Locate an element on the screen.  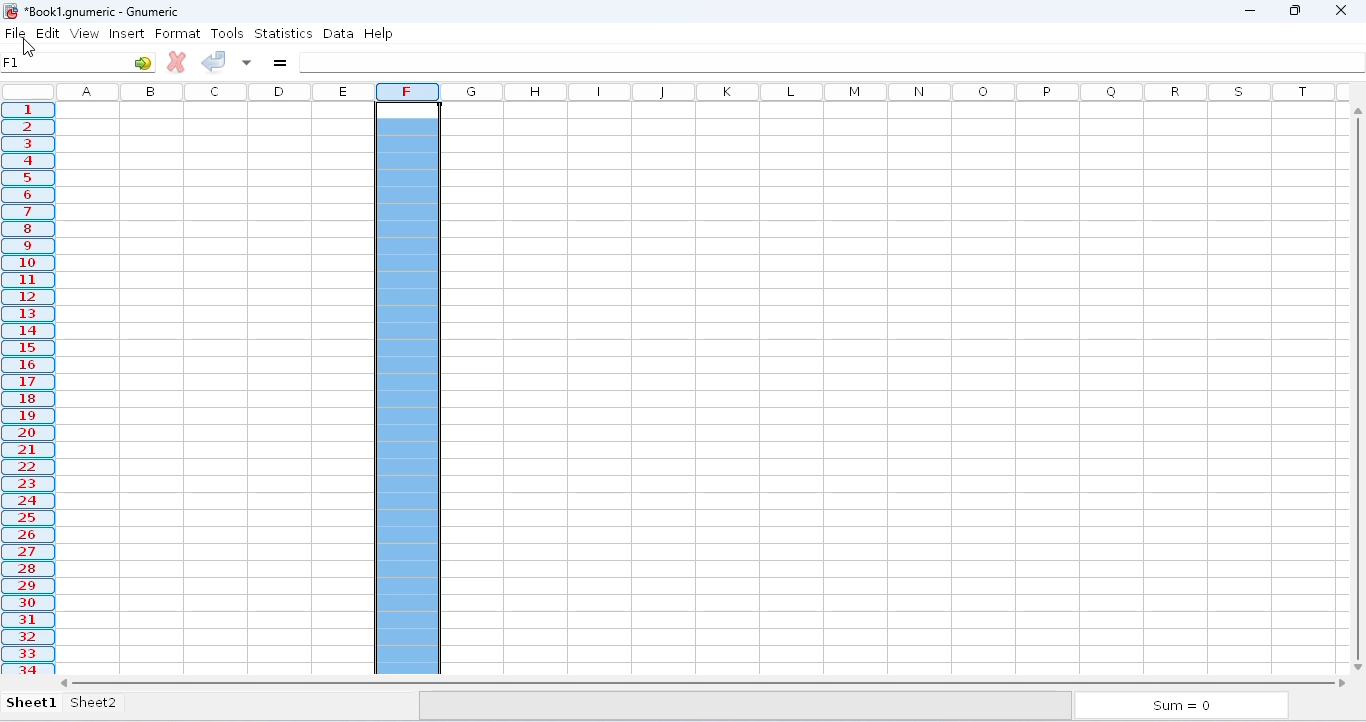
enter formula is located at coordinates (280, 62).